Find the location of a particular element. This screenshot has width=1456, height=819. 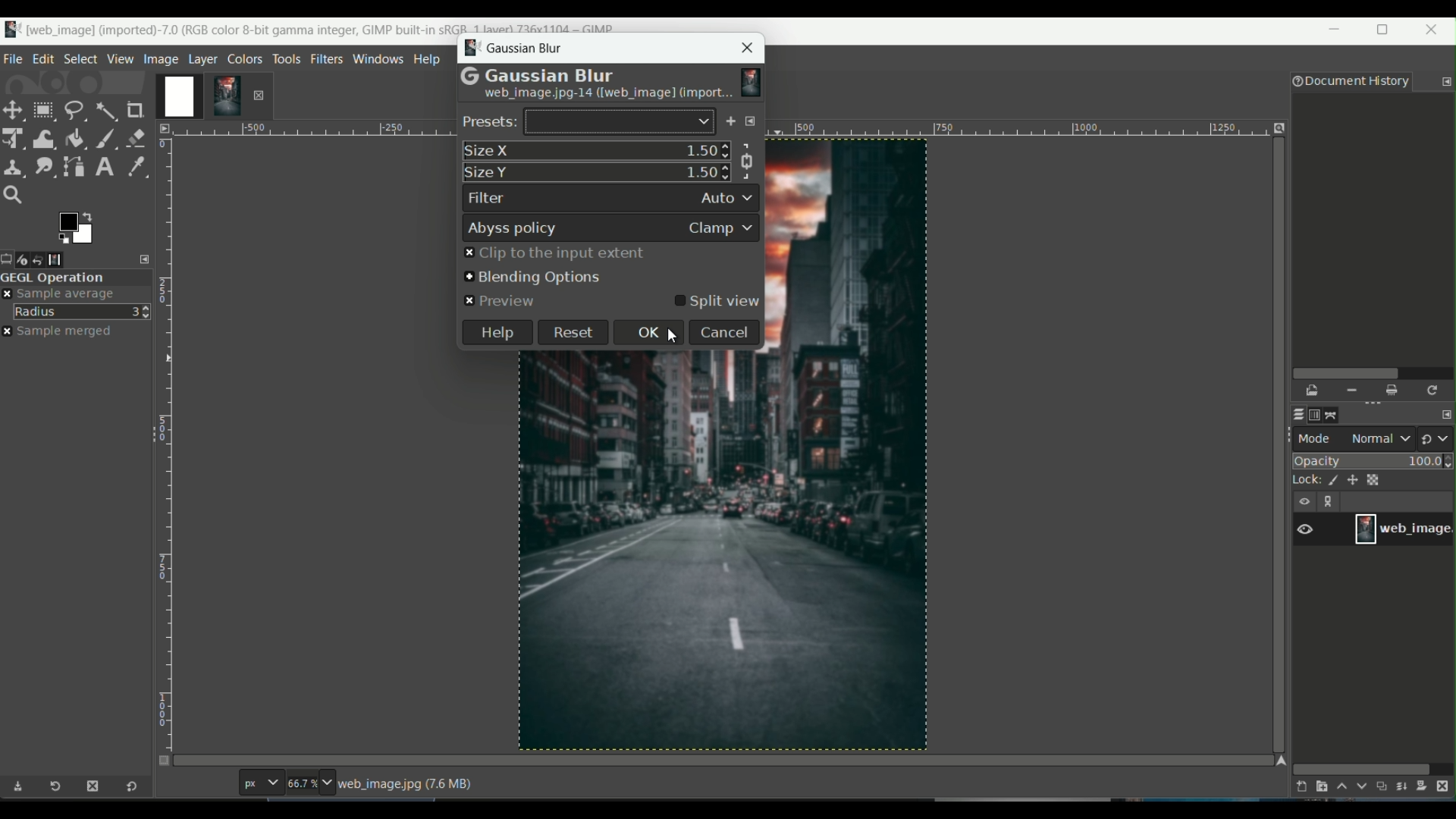

configure this tab is located at coordinates (146, 259).